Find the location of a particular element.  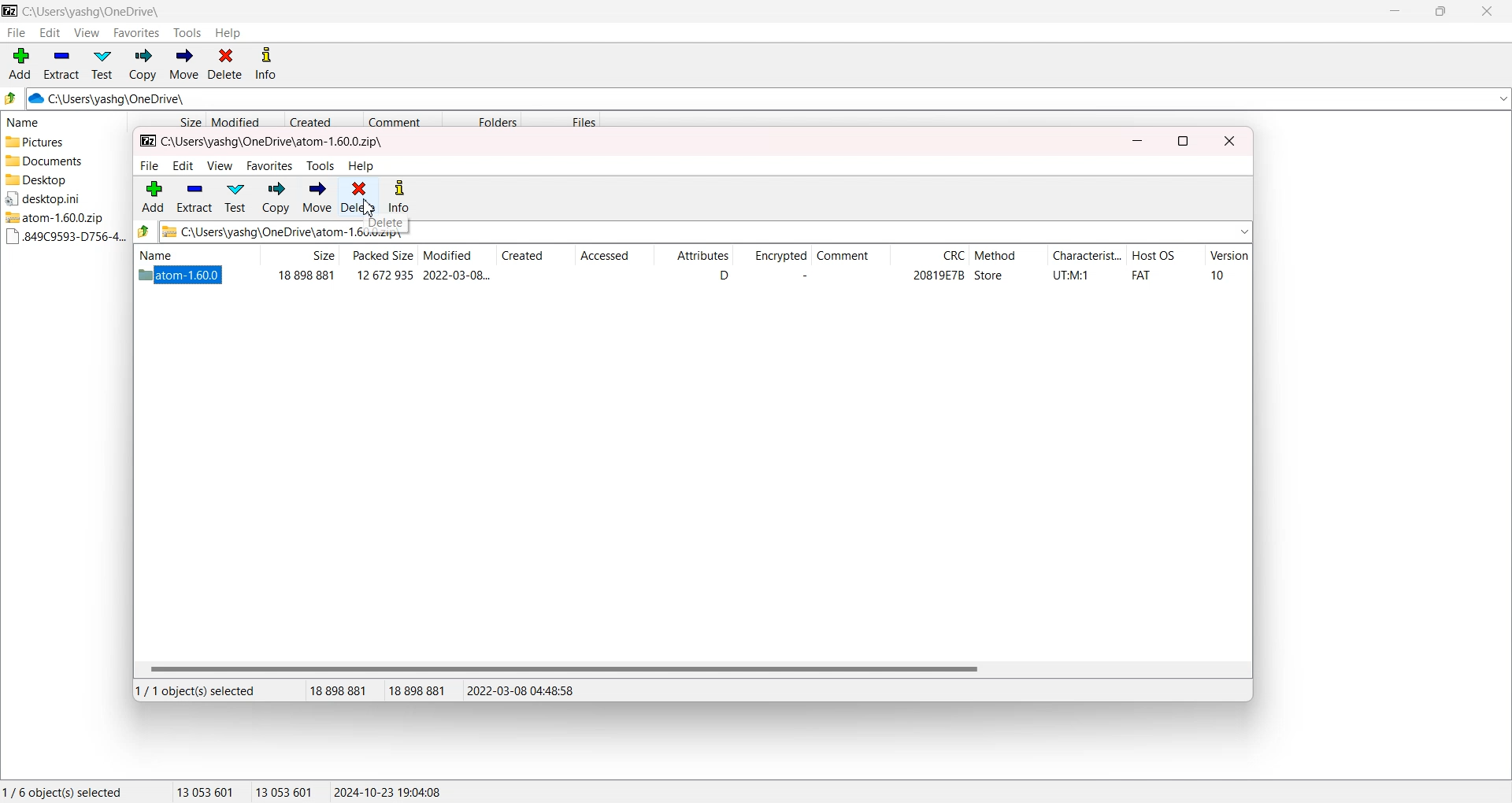

Created is located at coordinates (535, 257).